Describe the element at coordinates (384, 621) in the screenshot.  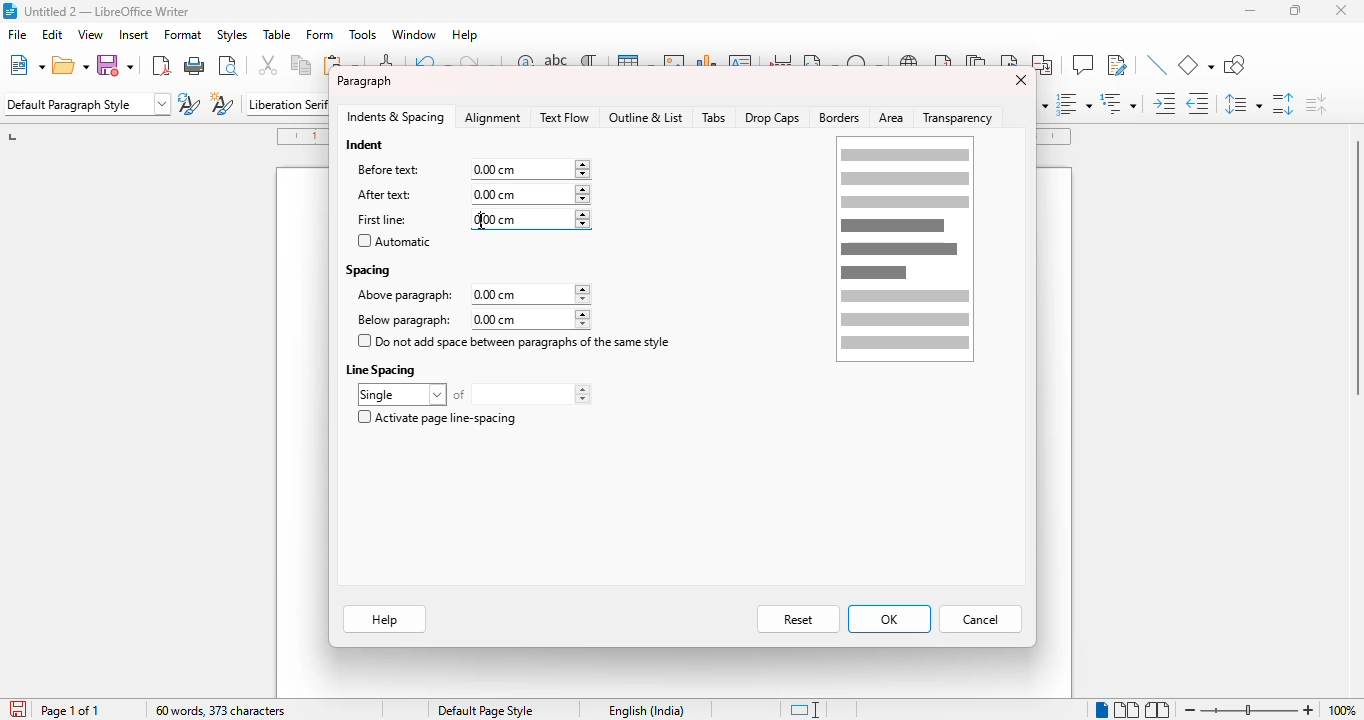
I see `help` at that location.